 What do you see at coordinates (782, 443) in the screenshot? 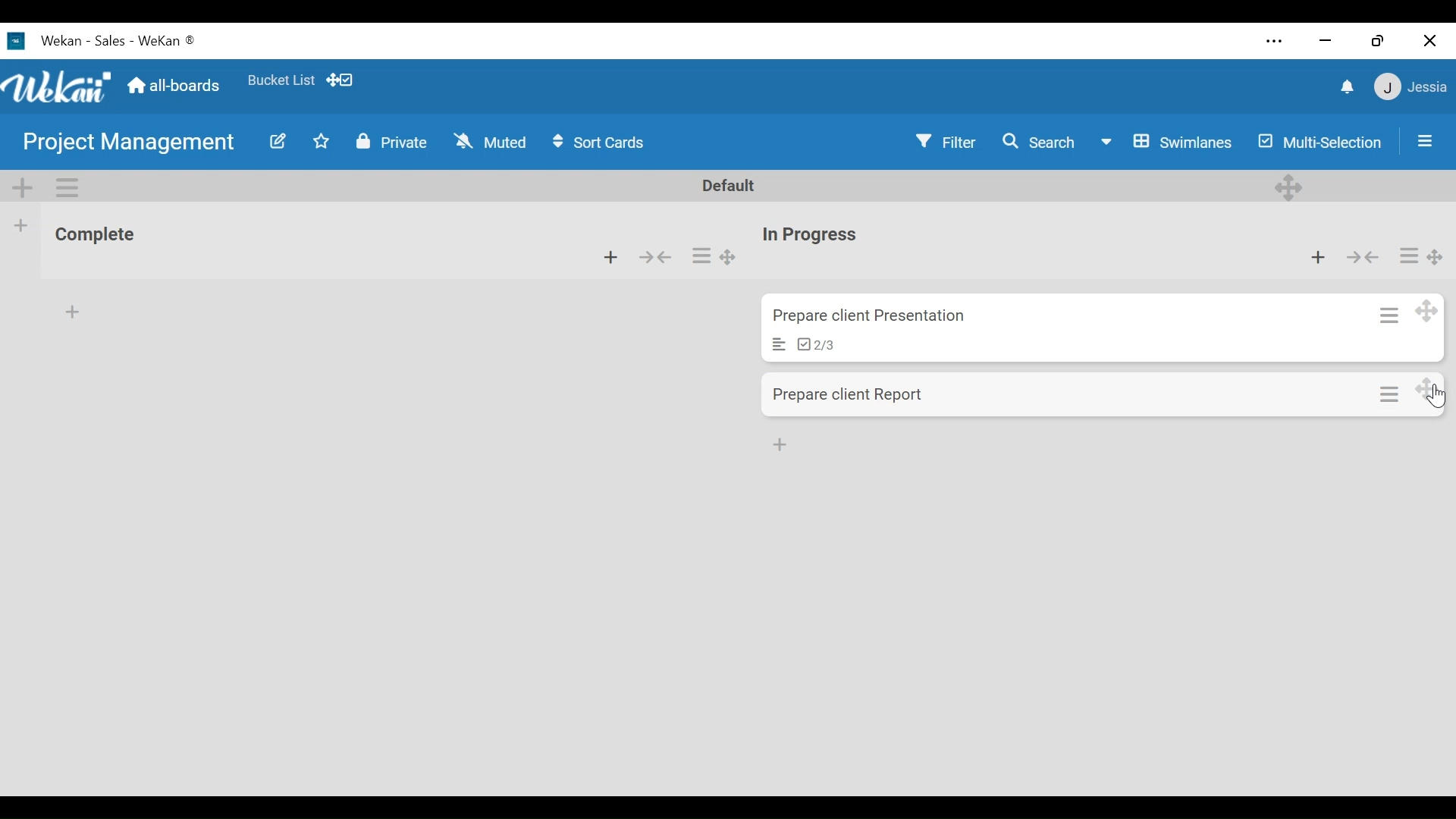
I see `Add card to the bottom of the list` at bounding box center [782, 443].